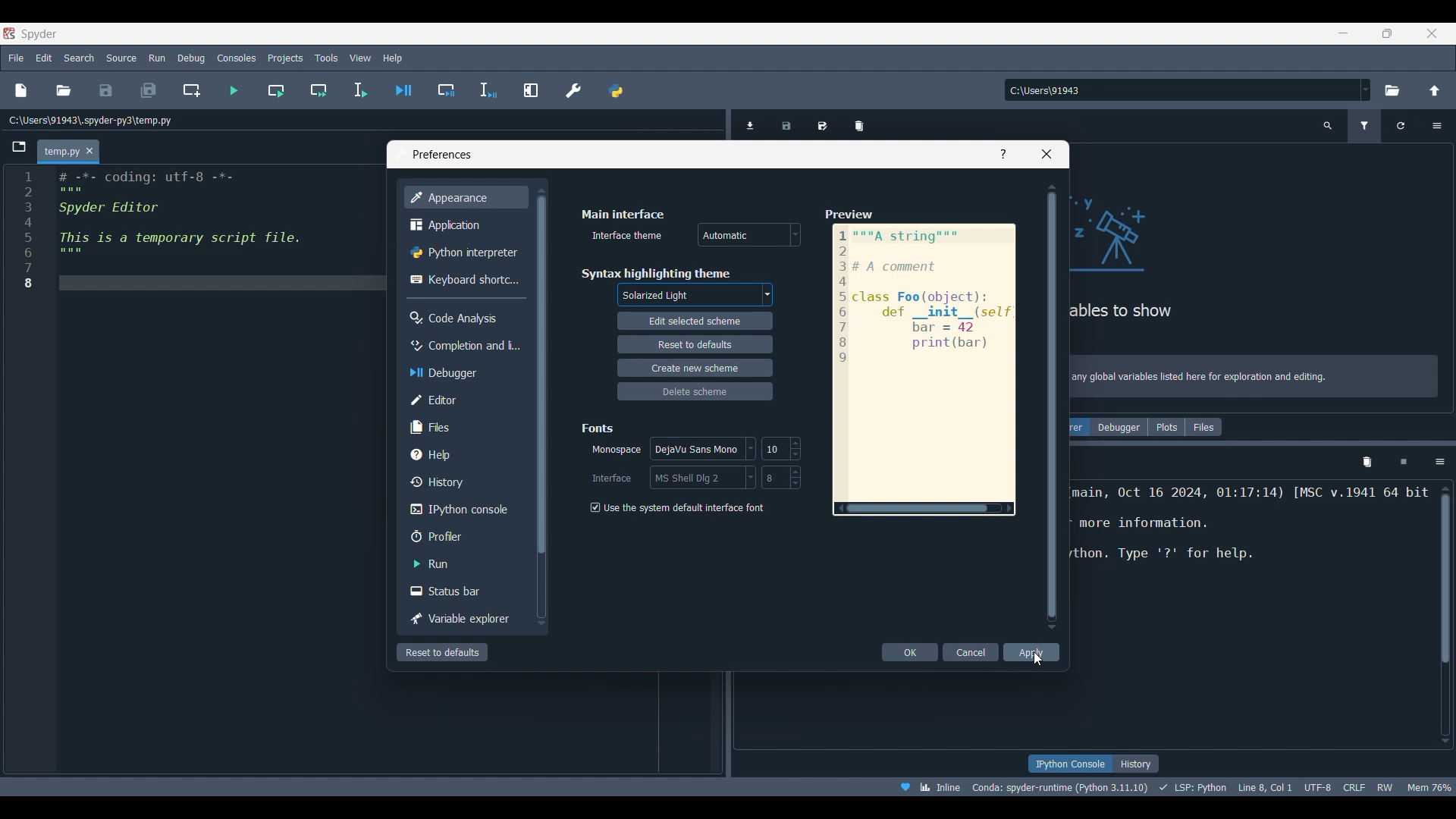  What do you see at coordinates (463, 428) in the screenshot?
I see `Files` at bounding box center [463, 428].